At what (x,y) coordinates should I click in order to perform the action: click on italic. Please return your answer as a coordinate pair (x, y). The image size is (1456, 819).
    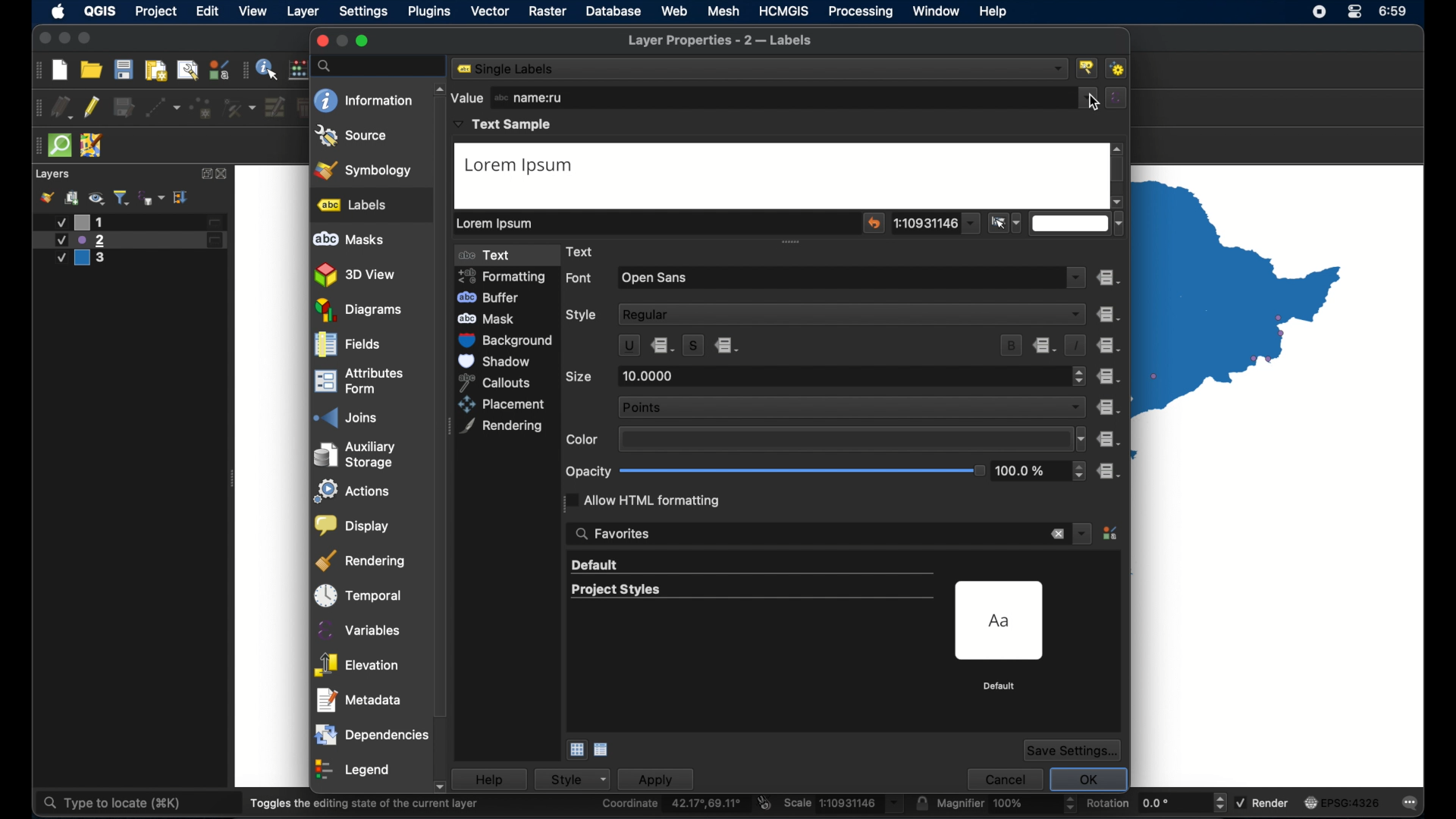
    Looking at the image, I should click on (1076, 345).